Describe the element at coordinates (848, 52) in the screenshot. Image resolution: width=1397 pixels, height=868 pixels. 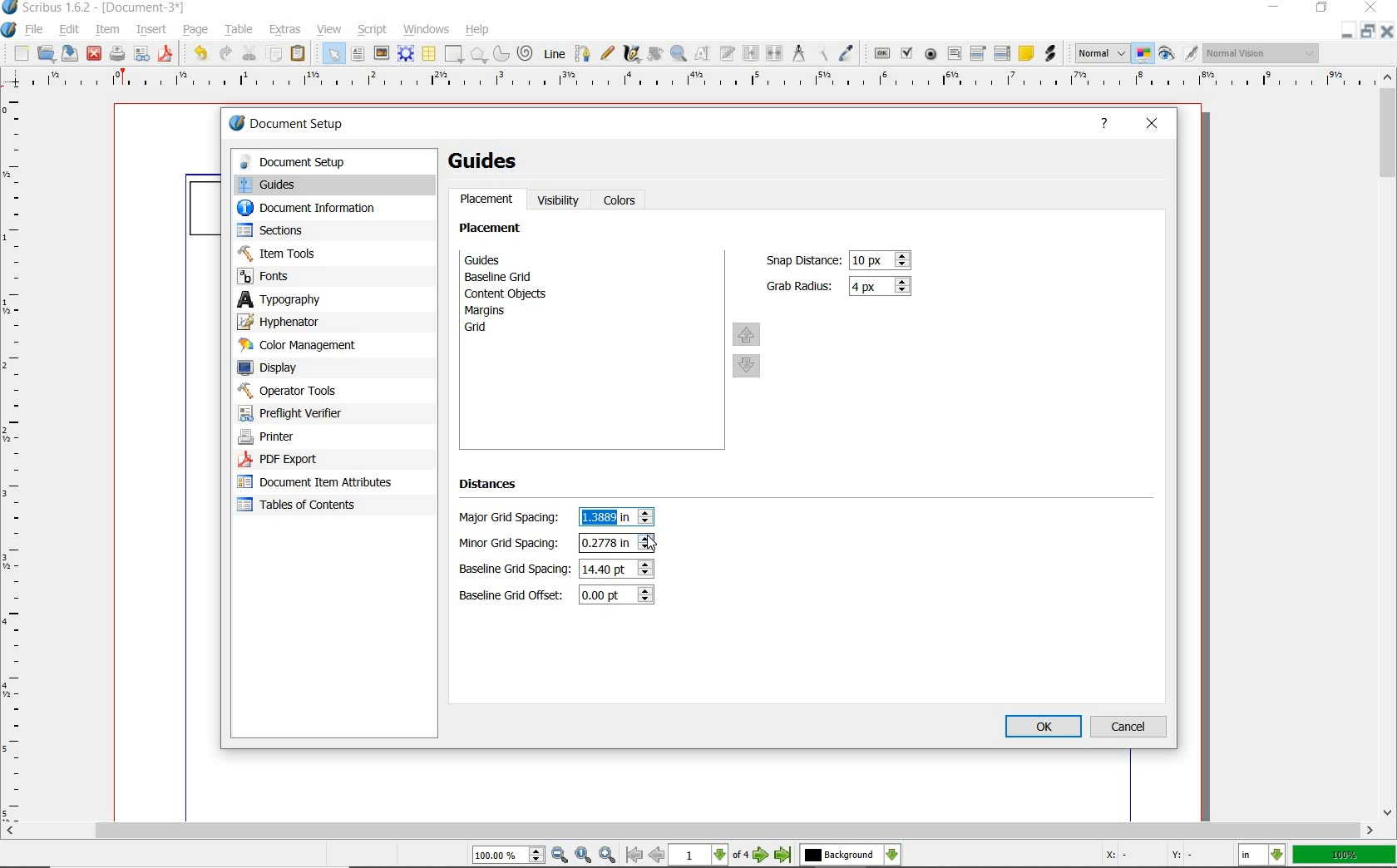
I see `eye dropper` at that location.